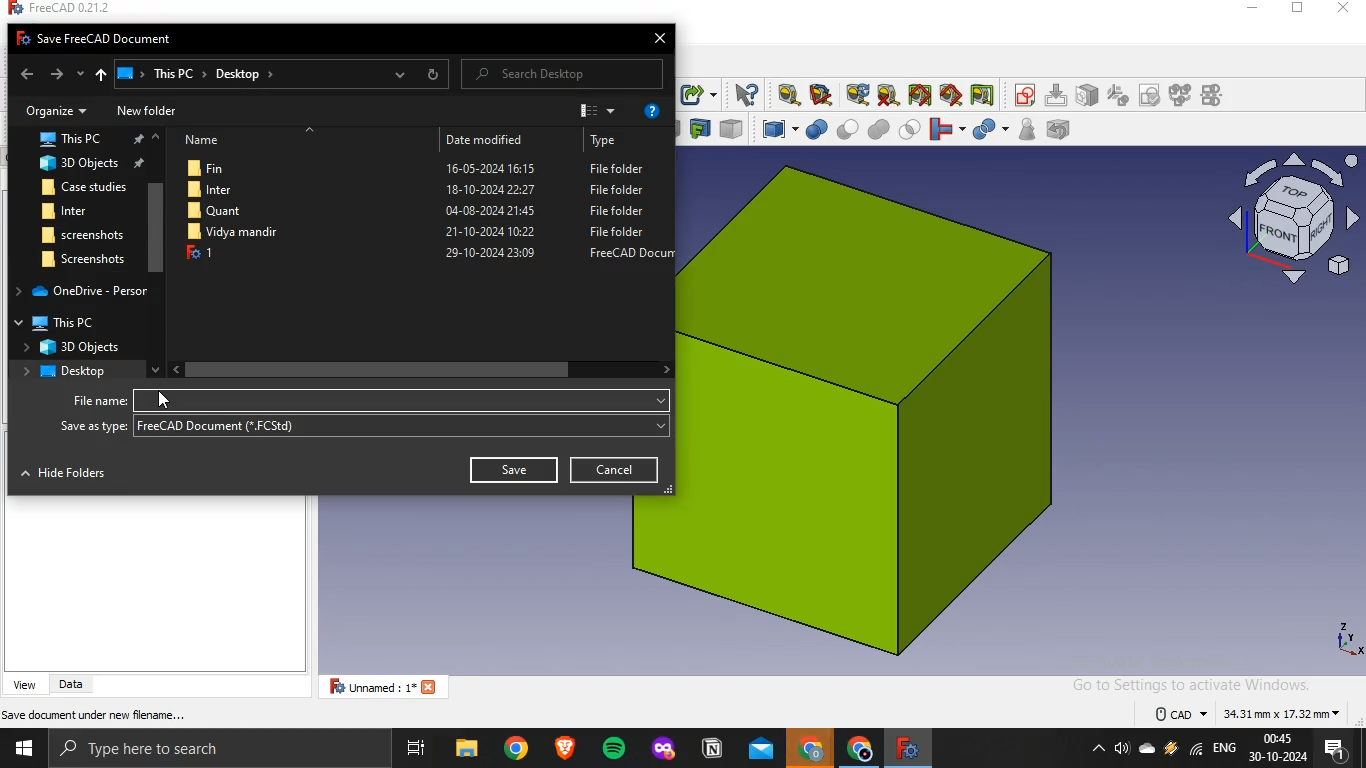  What do you see at coordinates (58, 9) in the screenshot?
I see `freecad 0.21.2` at bounding box center [58, 9].